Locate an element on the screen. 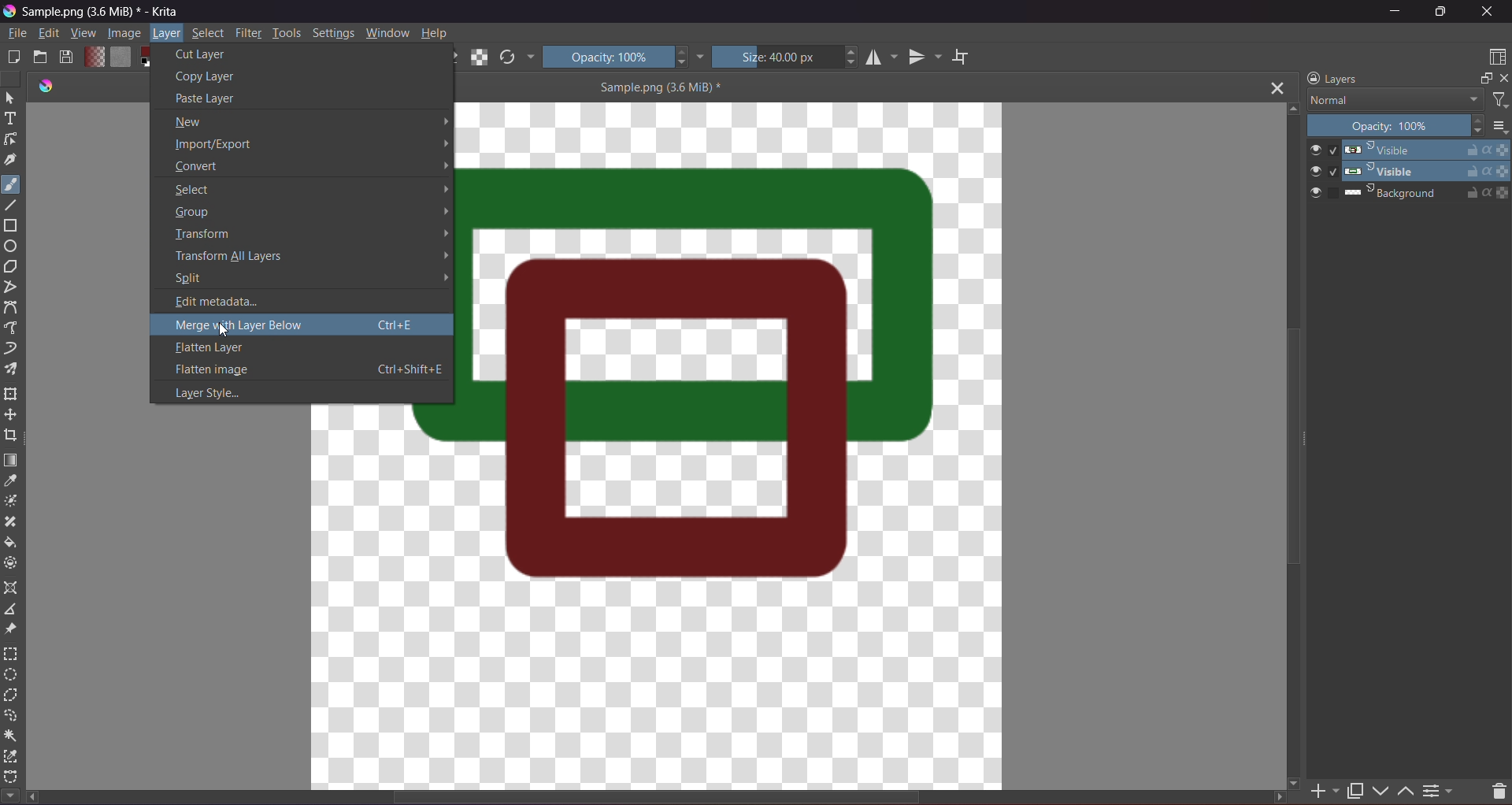 The height and width of the screenshot is (805, 1512). Tools is located at coordinates (287, 32).